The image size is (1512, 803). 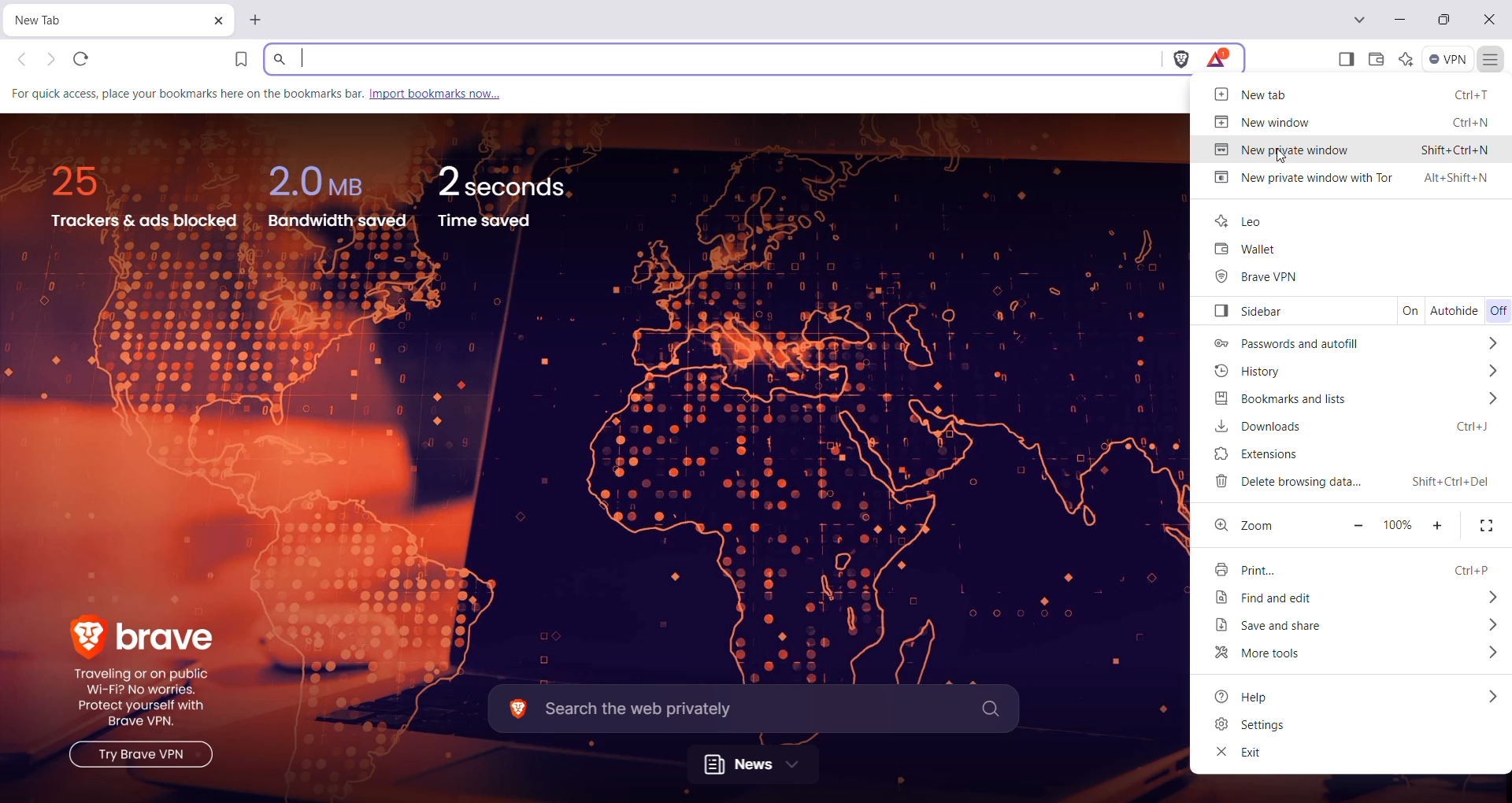 What do you see at coordinates (1492, 372) in the screenshot?
I see `More Options` at bounding box center [1492, 372].